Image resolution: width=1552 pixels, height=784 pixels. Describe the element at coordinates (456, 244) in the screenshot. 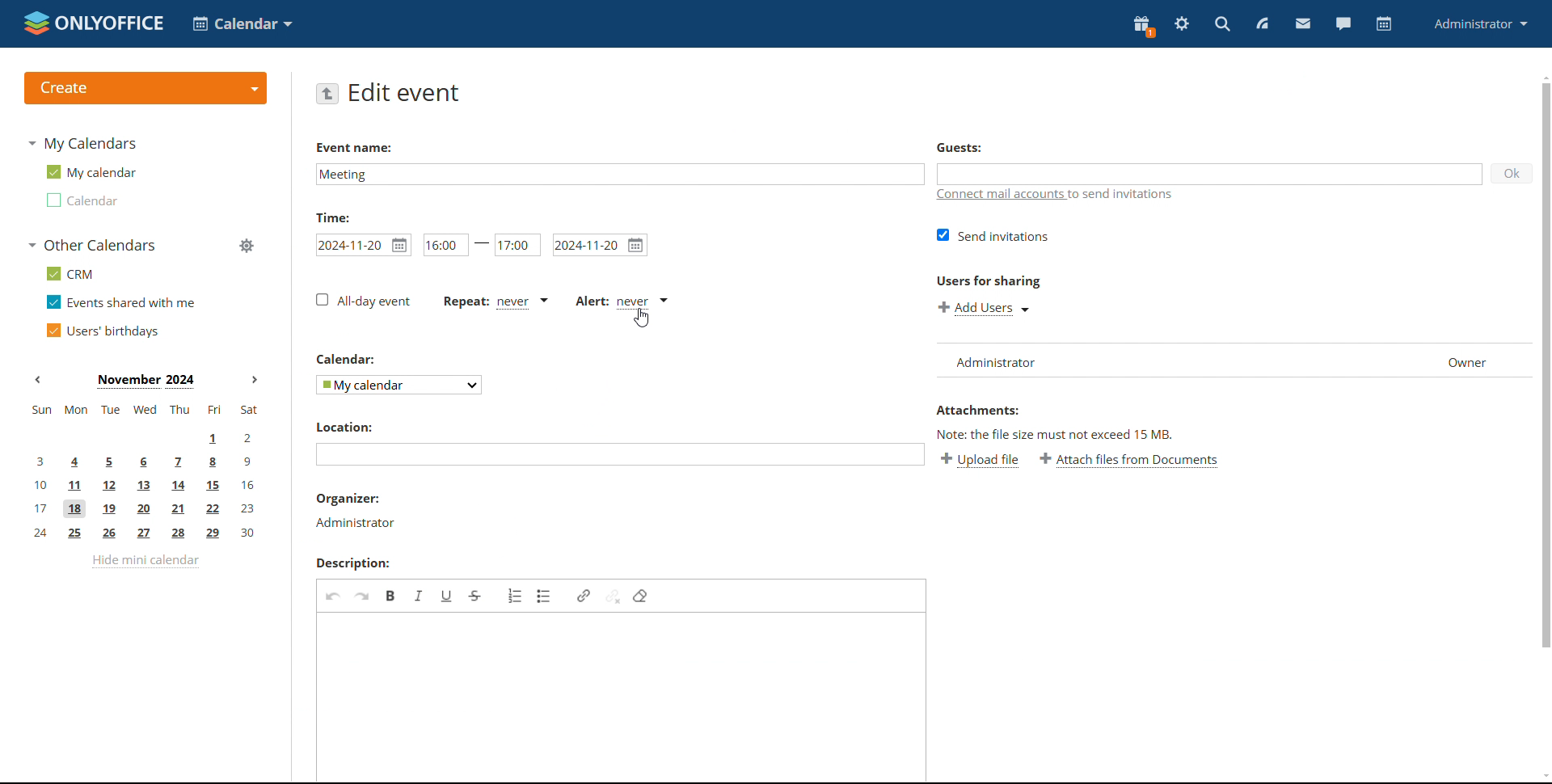

I see `start time` at that location.